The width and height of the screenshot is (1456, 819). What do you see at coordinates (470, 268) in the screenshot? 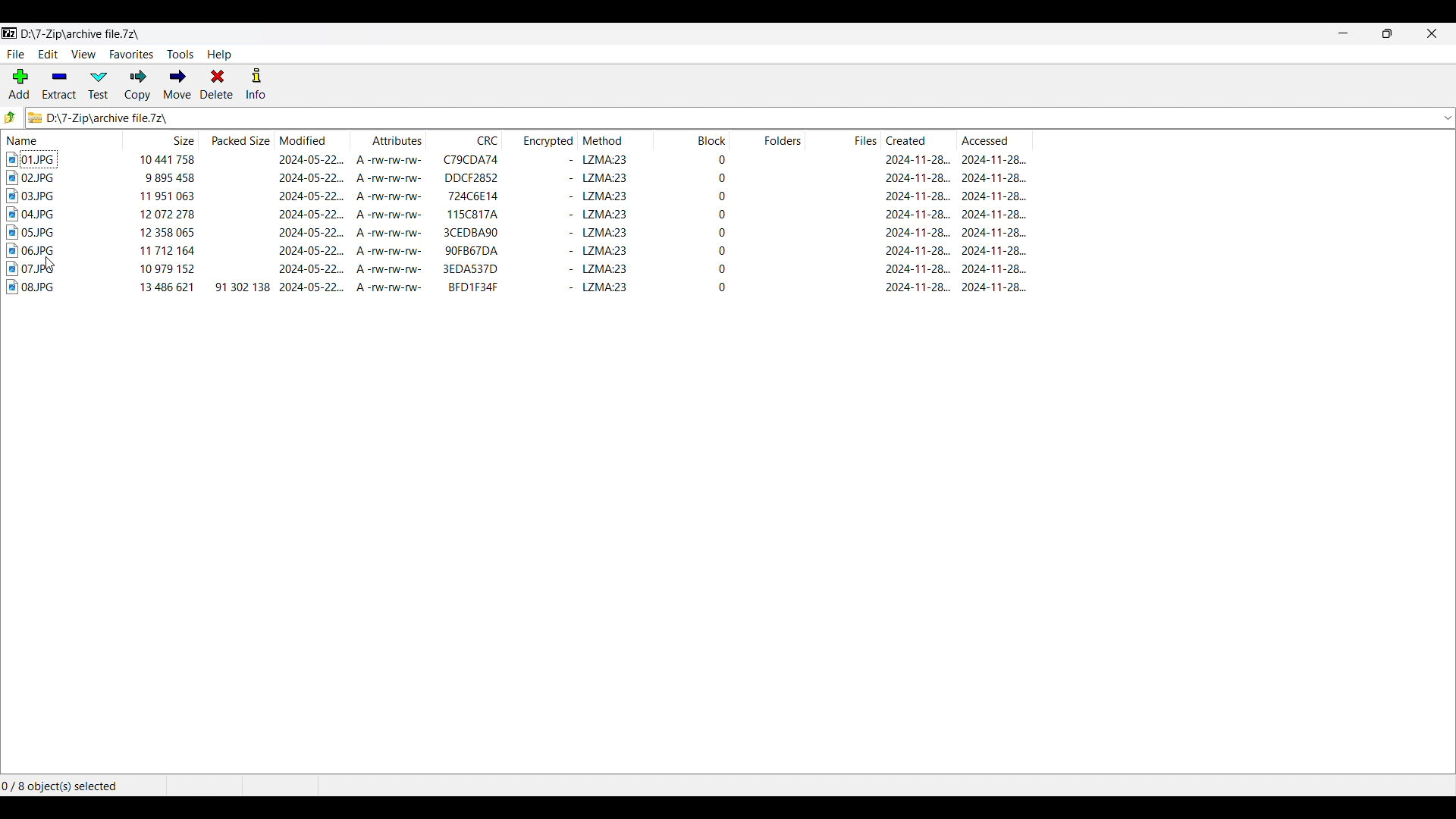
I see `CRC` at bounding box center [470, 268].